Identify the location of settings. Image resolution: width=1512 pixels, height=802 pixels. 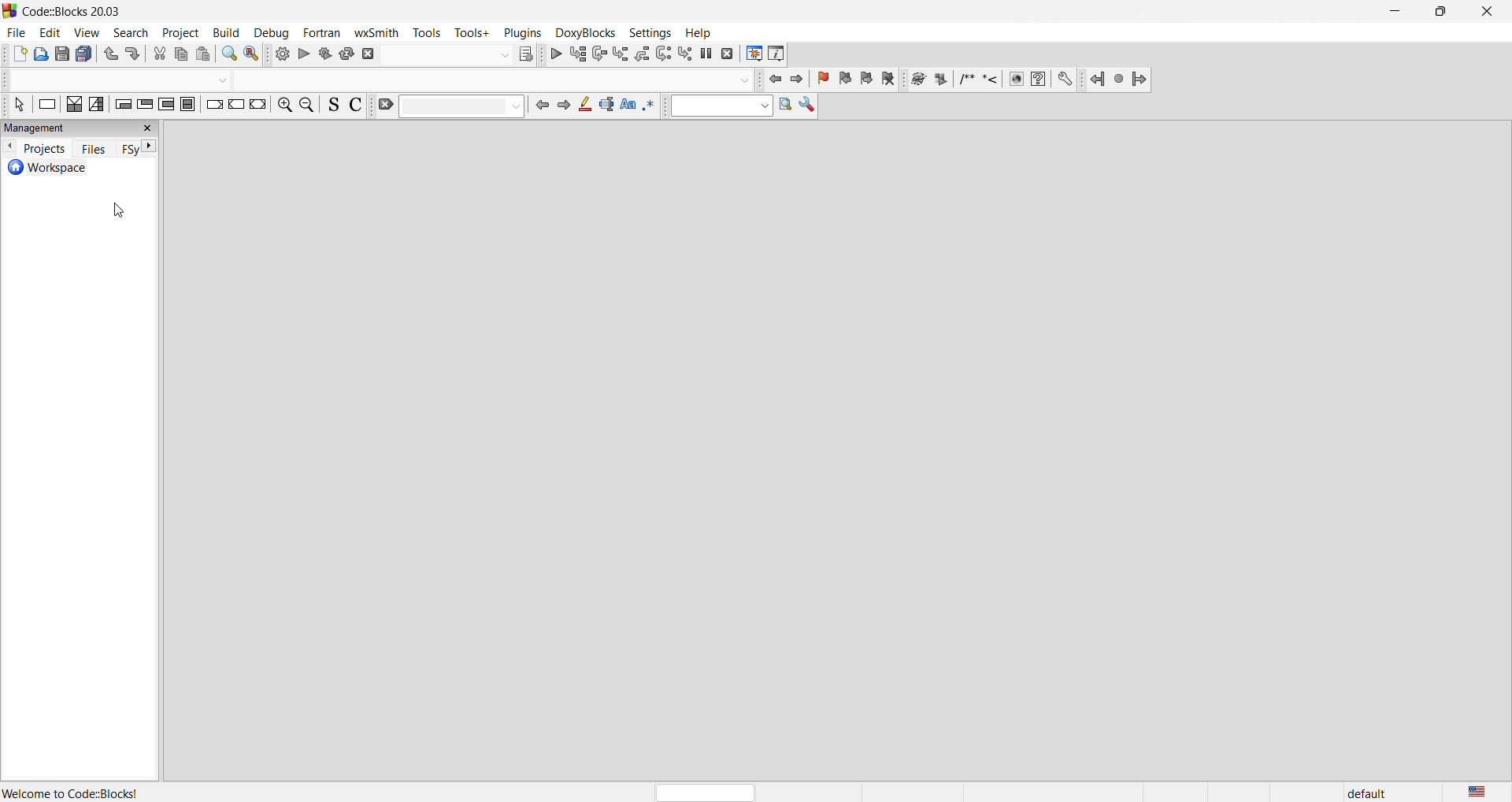
(649, 32).